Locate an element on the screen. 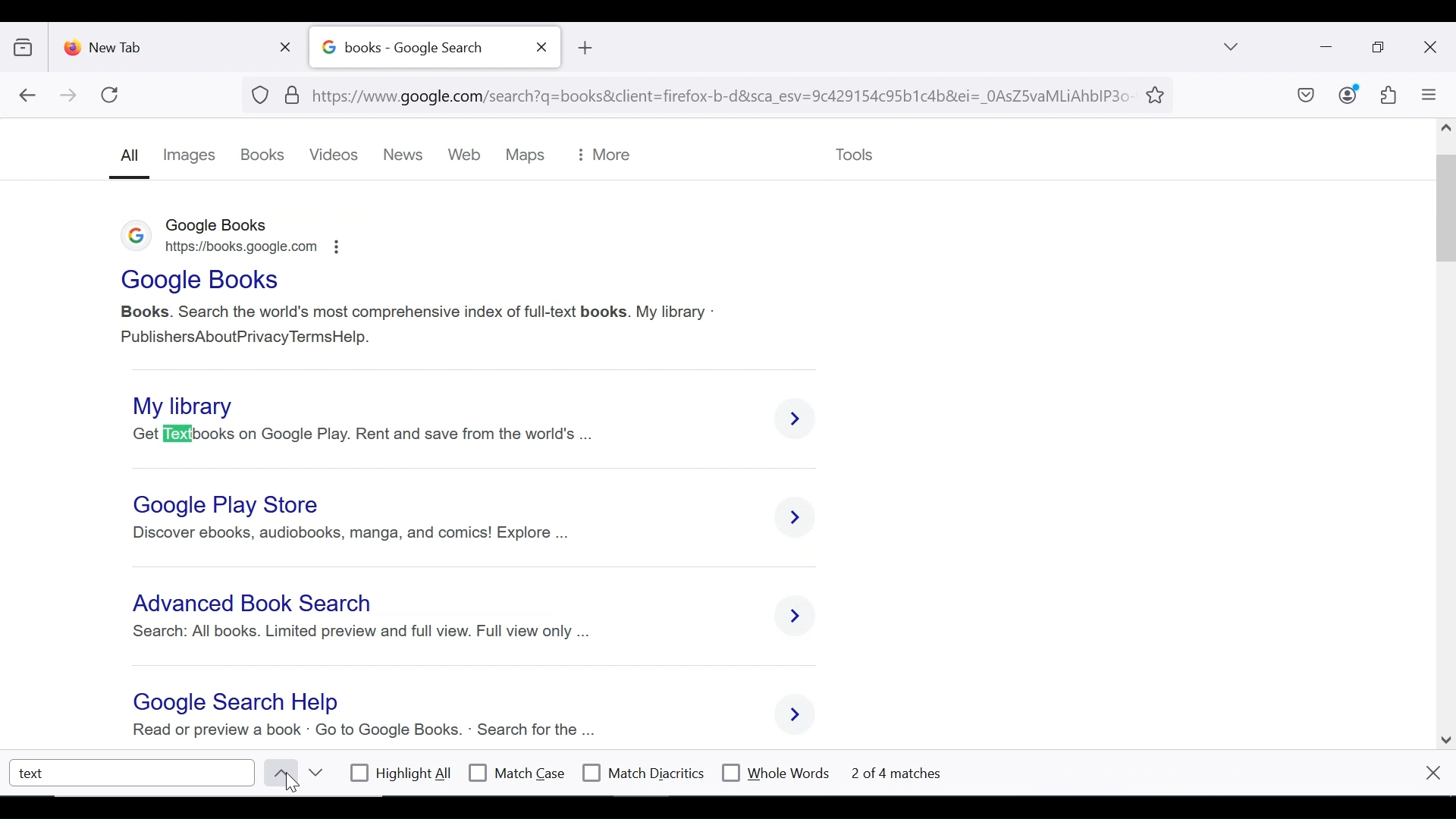 Image resolution: width=1456 pixels, height=819 pixels. forward is located at coordinates (69, 96).